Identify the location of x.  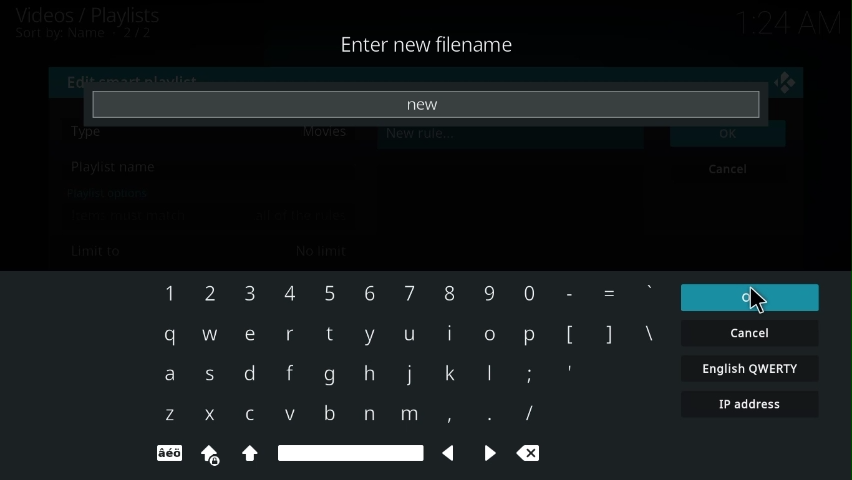
(209, 413).